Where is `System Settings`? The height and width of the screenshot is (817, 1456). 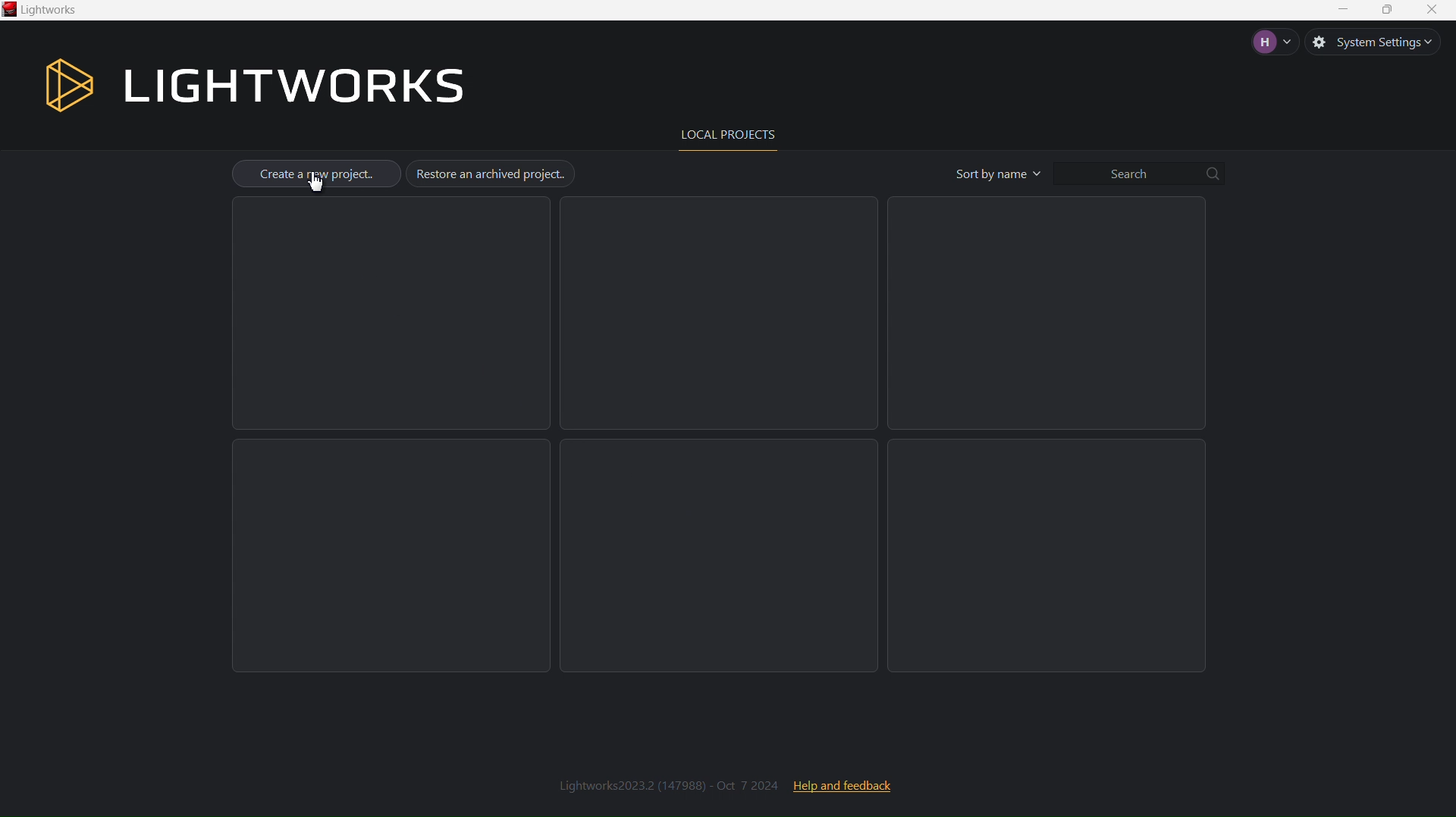 System Settings is located at coordinates (1382, 42).